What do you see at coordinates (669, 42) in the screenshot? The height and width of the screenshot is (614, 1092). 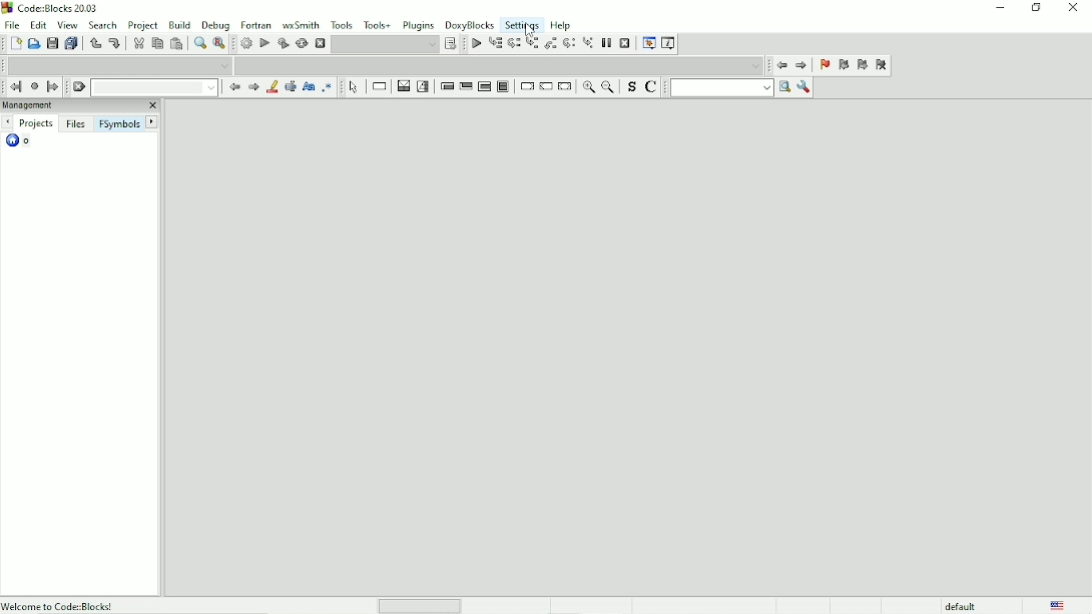 I see `Various info` at bounding box center [669, 42].